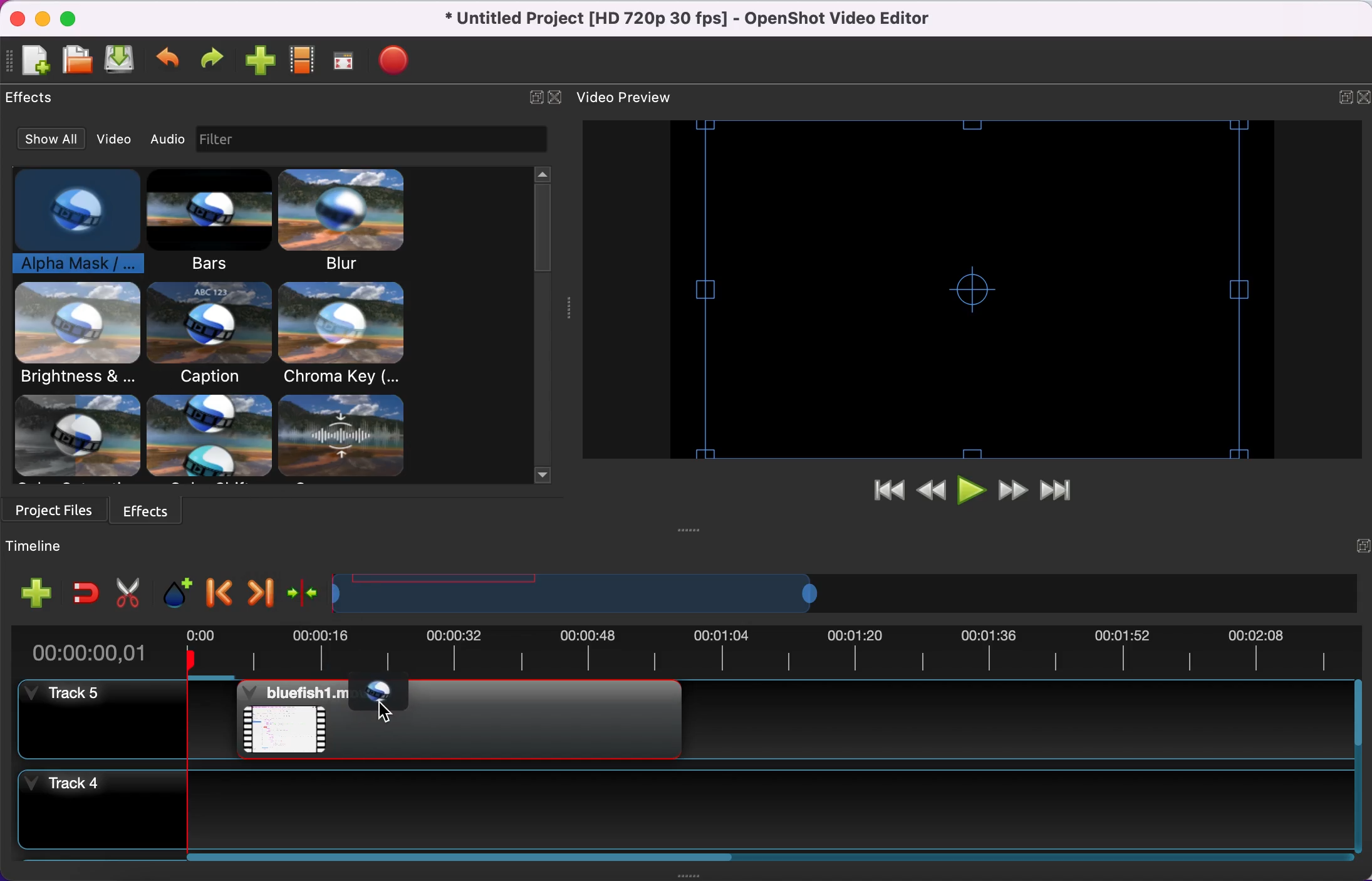 The width and height of the screenshot is (1372, 881). Describe the element at coordinates (221, 439) in the screenshot. I see `effects` at that location.